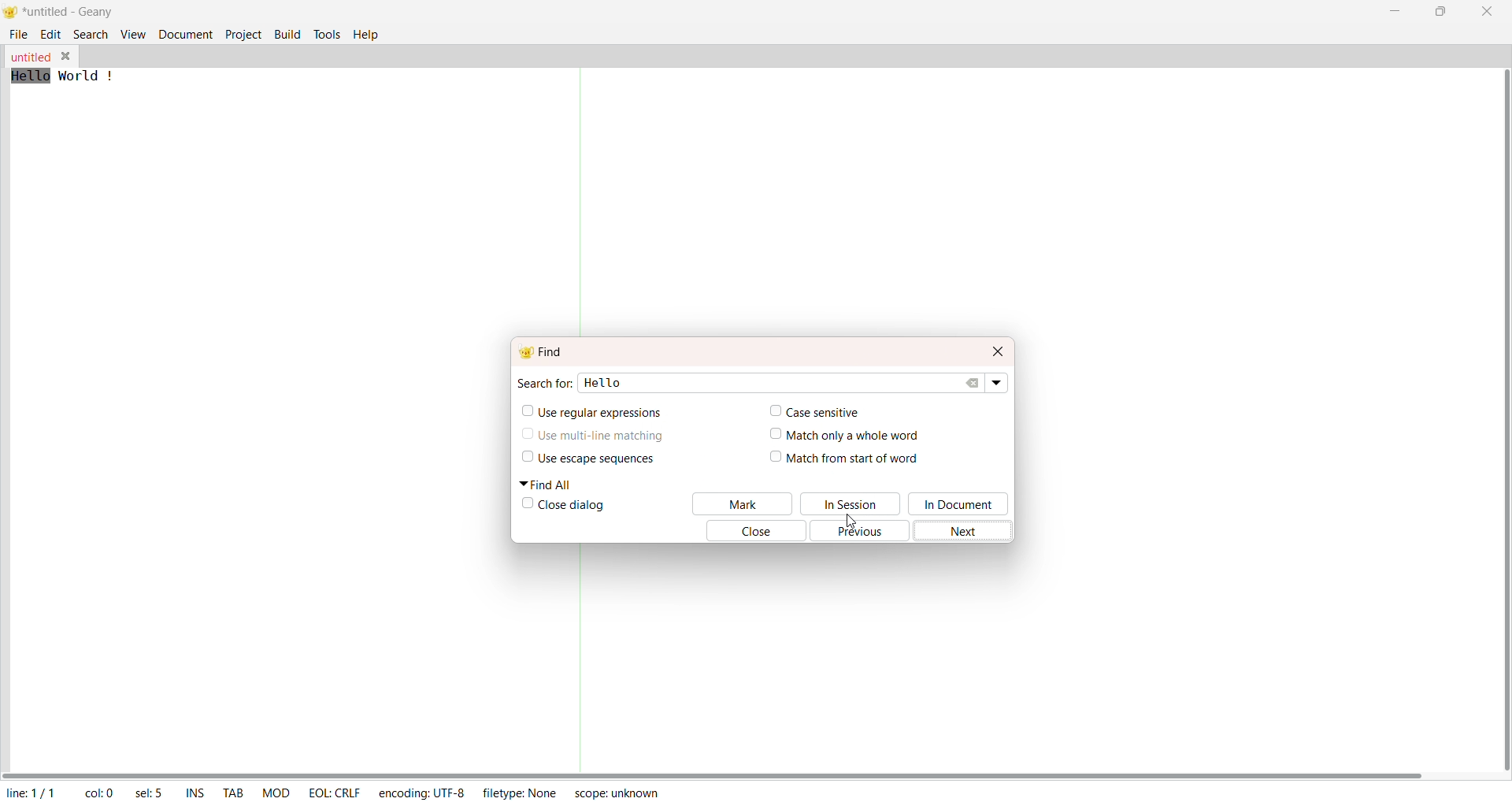  I want to click on Title, so click(72, 13).